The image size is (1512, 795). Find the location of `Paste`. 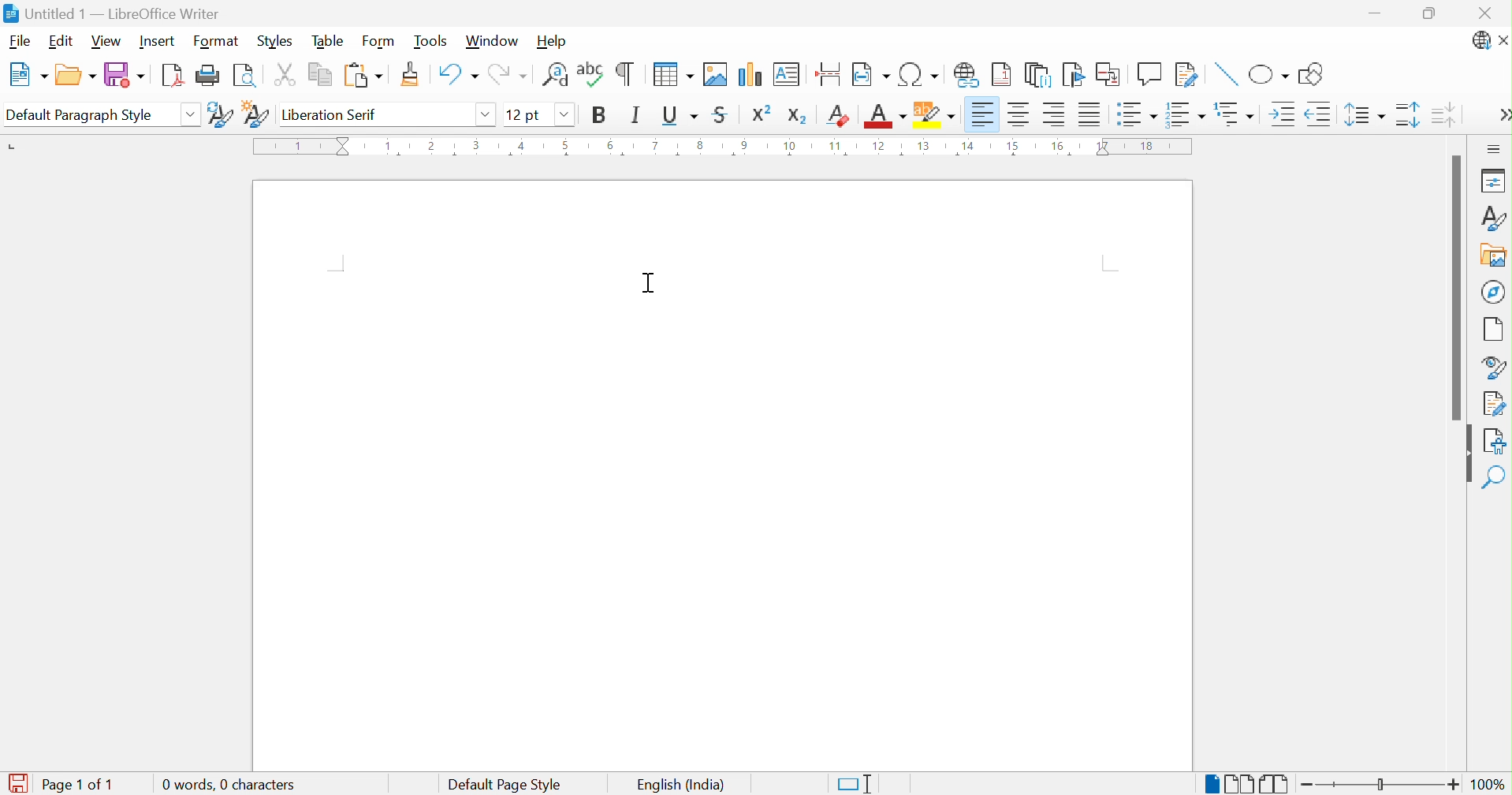

Paste is located at coordinates (363, 76).